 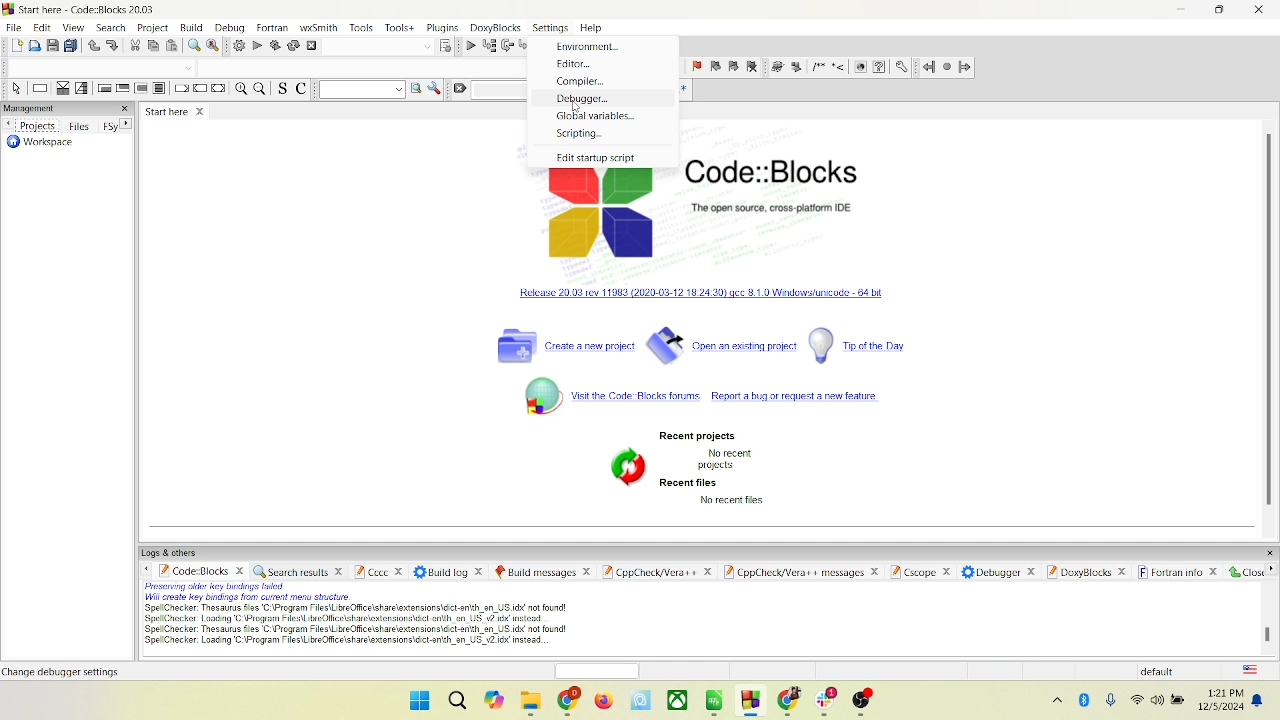 What do you see at coordinates (729, 459) in the screenshot?
I see `text` at bounding box center [729, 459].